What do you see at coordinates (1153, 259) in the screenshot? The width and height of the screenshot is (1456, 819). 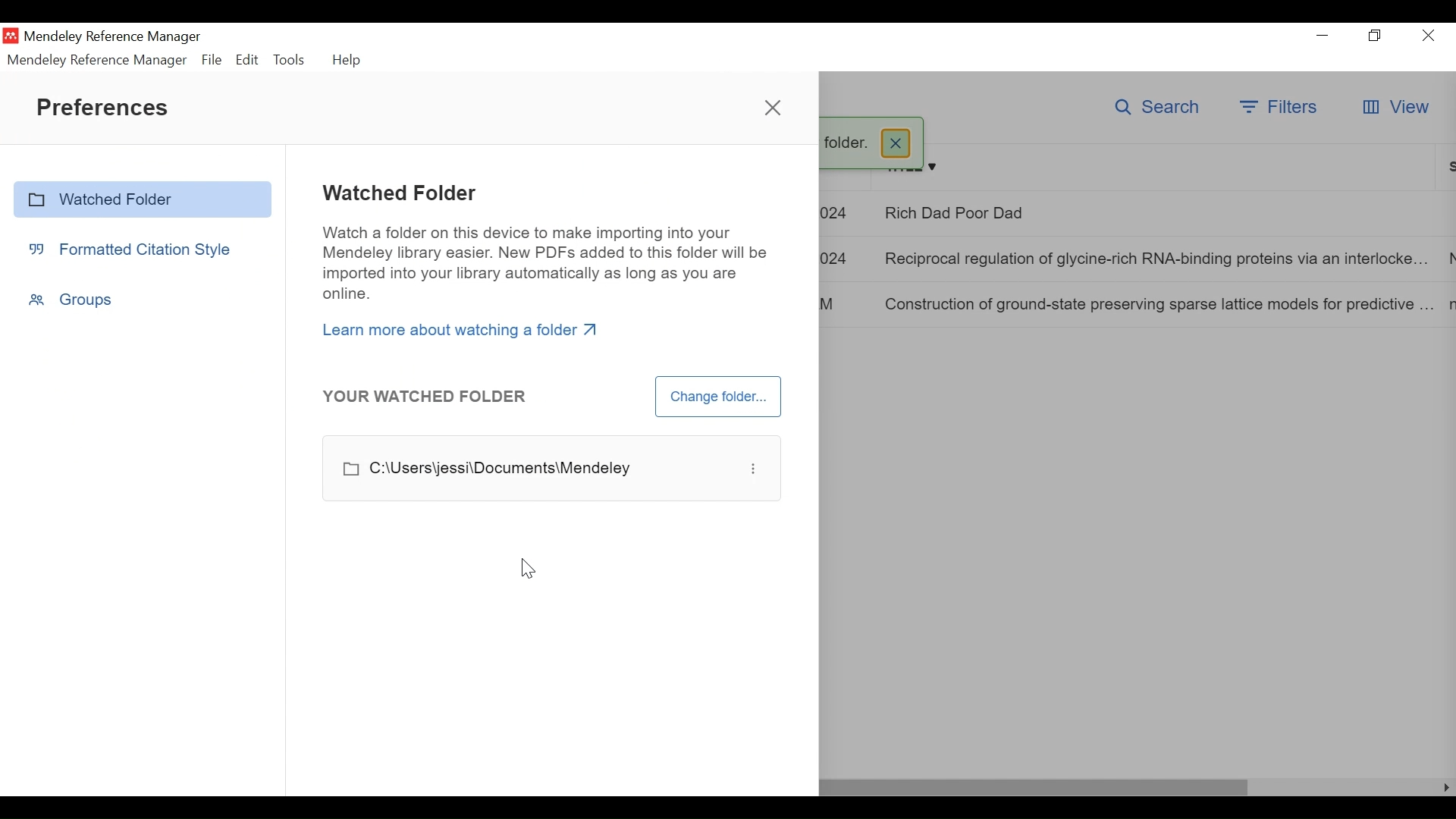 I see `Reciprocal regulation of glycine-rich RNA-binding proteins via an interlocke...` at bounding box center [1153, 259].